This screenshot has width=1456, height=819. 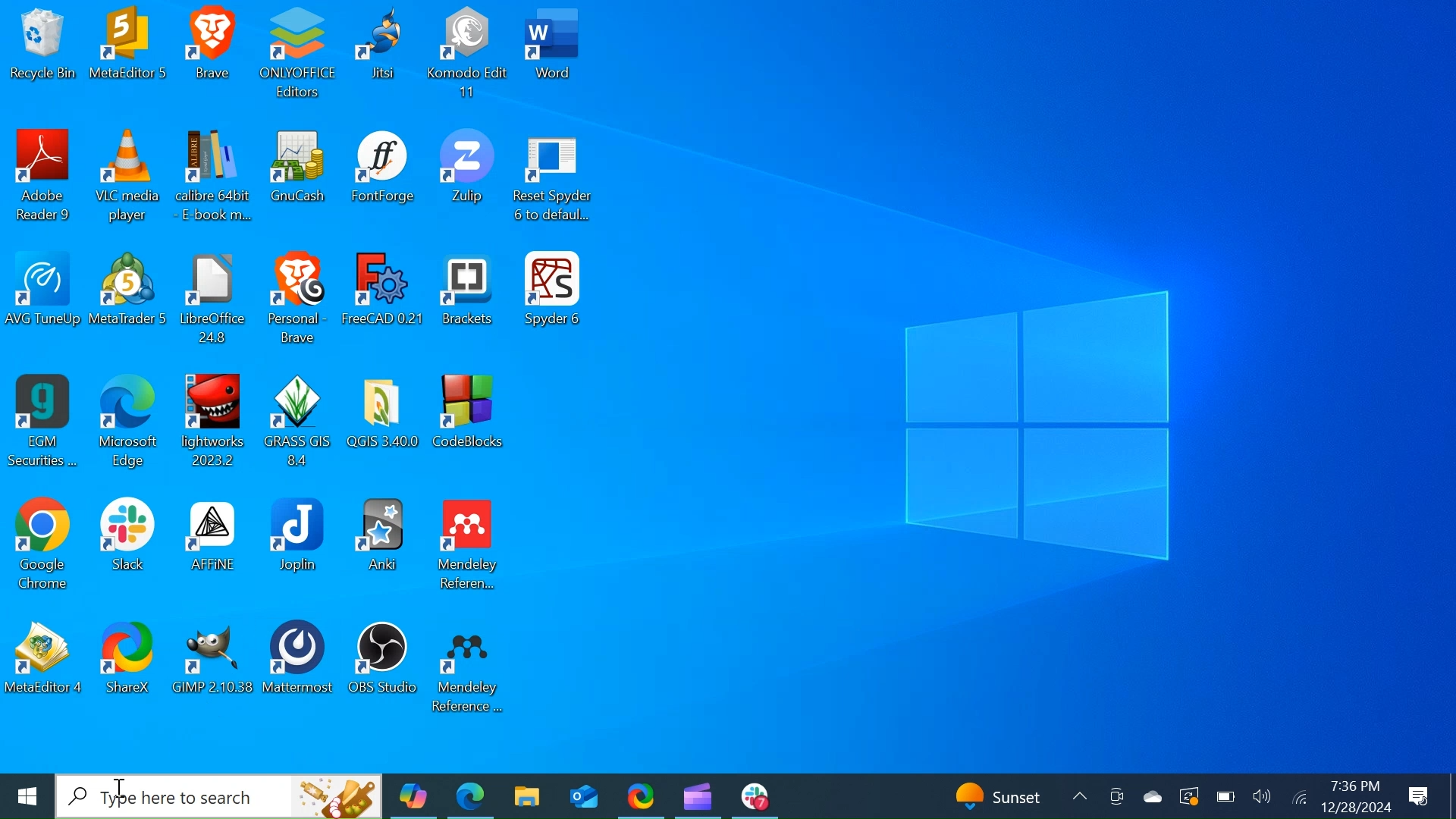 I want to click on Jitsi Desktop Icon, so click(x=384, y=55).